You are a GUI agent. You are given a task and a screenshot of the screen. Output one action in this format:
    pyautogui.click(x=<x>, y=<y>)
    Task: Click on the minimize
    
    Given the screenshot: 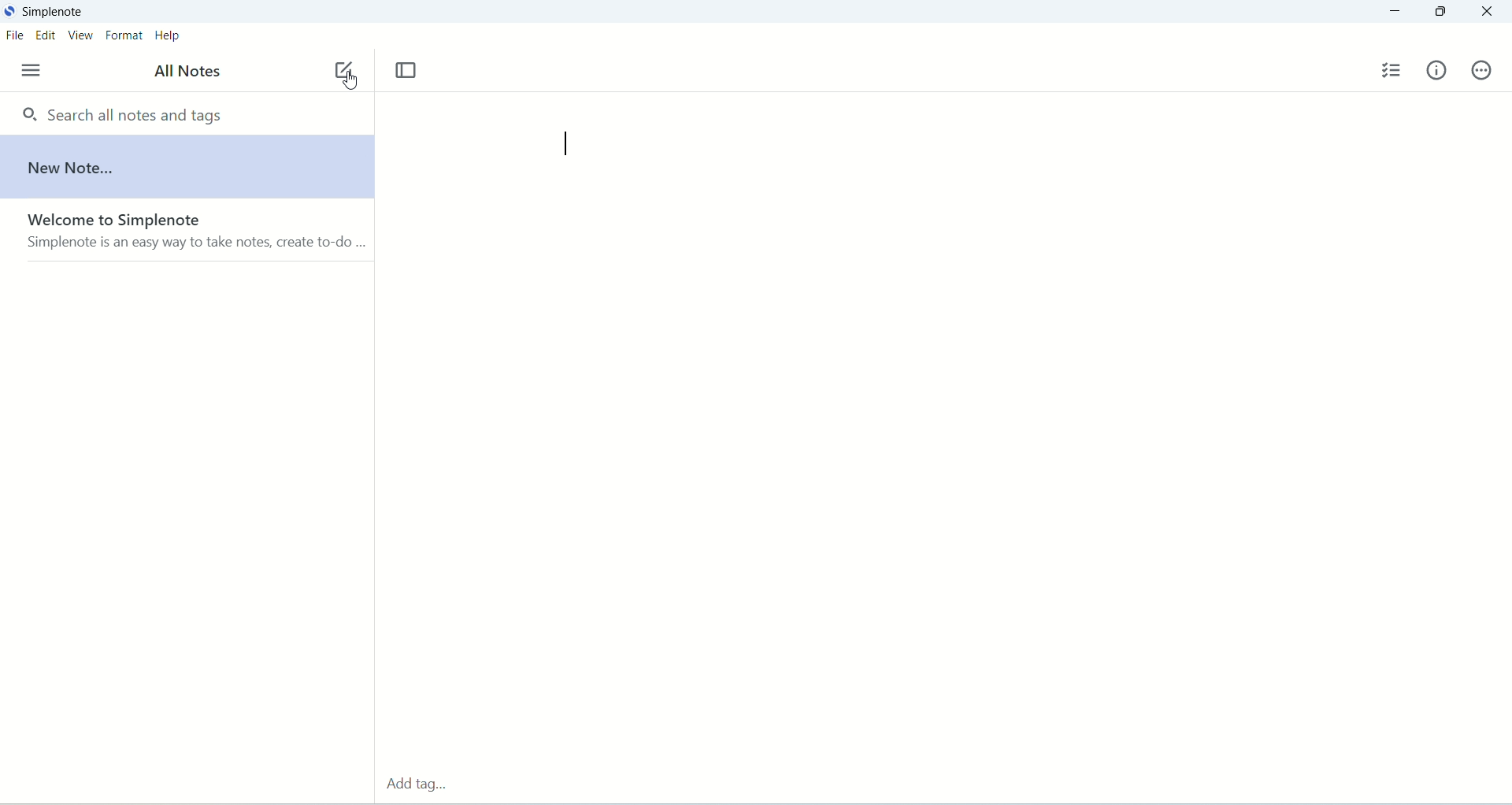 What is the action you would take?
    pyautogui.click(x=1396, y=12)
    